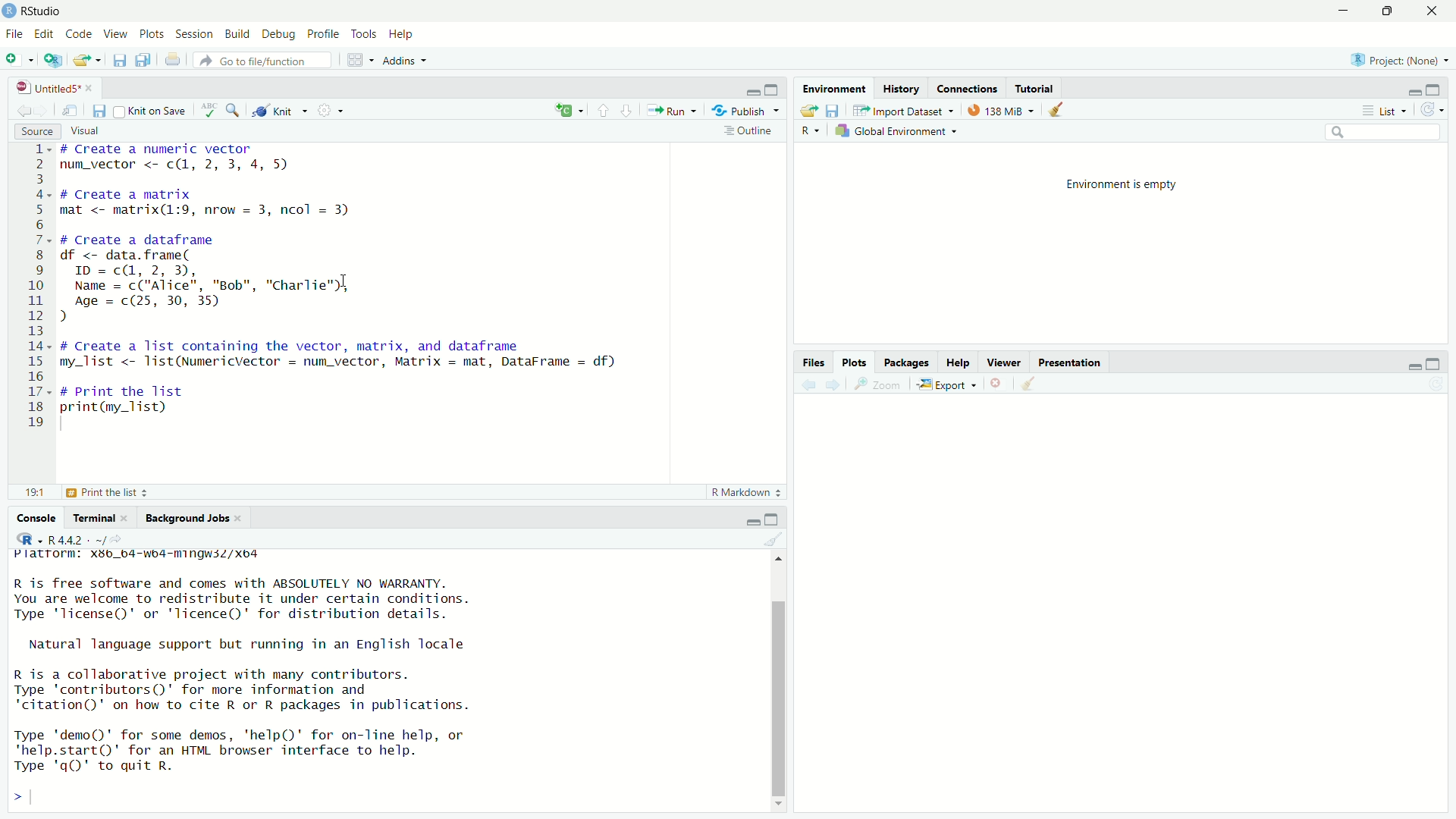 The image size is (1456, 819). I want to click on R~, so click(811, 129).